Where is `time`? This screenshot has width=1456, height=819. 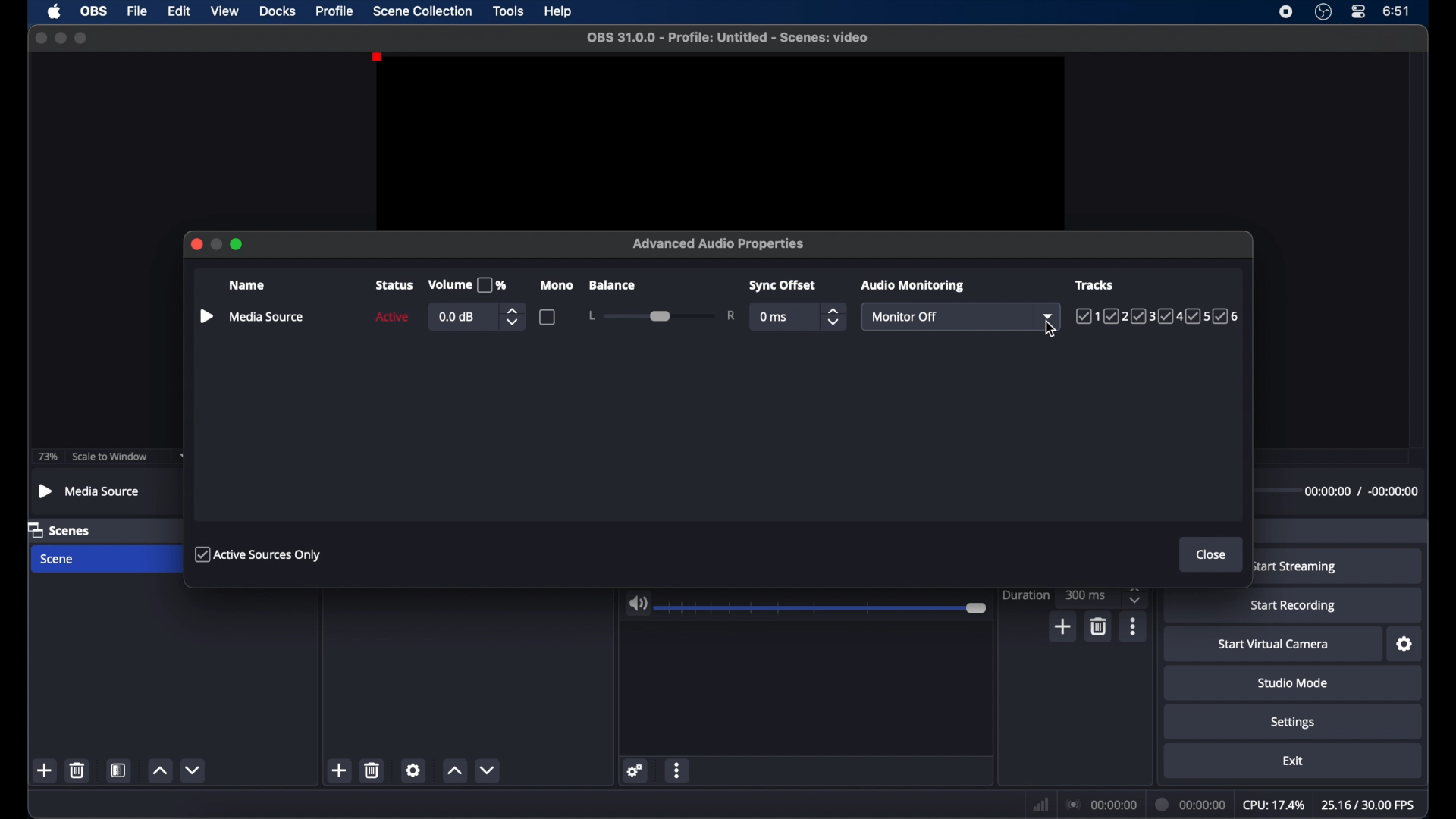 time is located at coordinates (1397, 10).